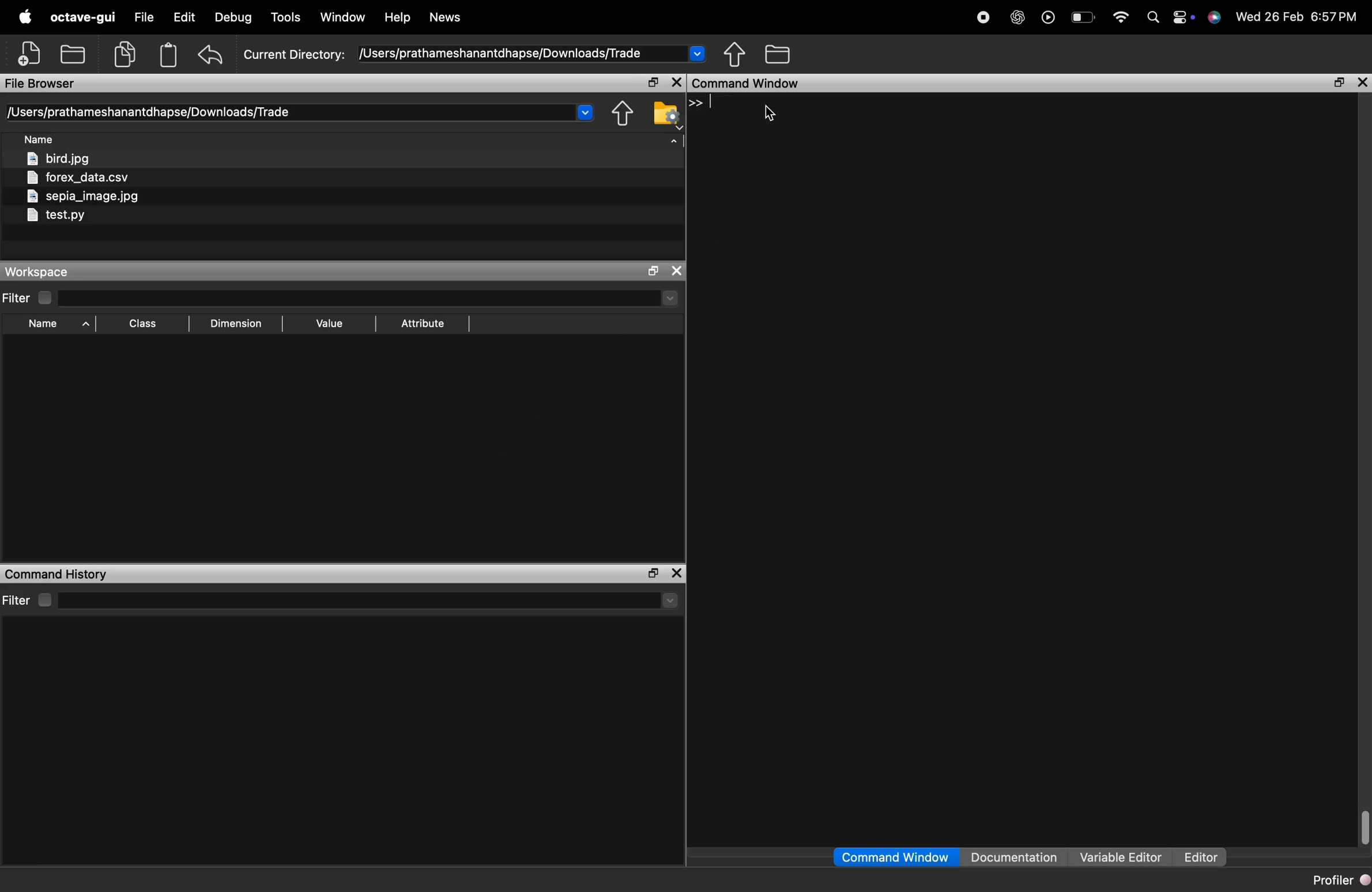 This screenshot has height=892, width=1372. Describe the element at coordinates (1363, 821) in the screenshot. I see `vertical scrollbar` at that location.